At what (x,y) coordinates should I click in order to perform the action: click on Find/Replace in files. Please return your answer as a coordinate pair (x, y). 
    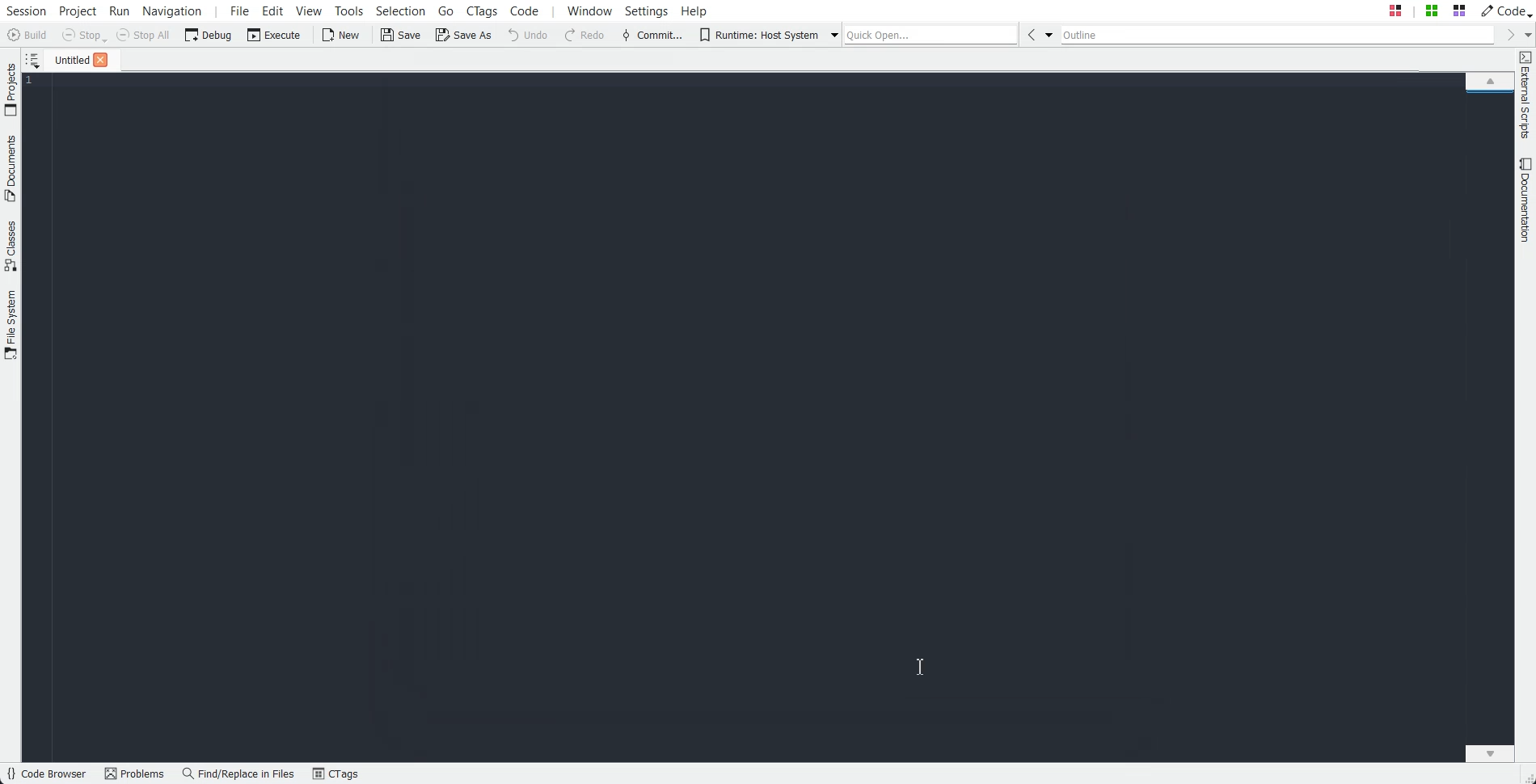
    Looking at the image, I should click on (239, 773).